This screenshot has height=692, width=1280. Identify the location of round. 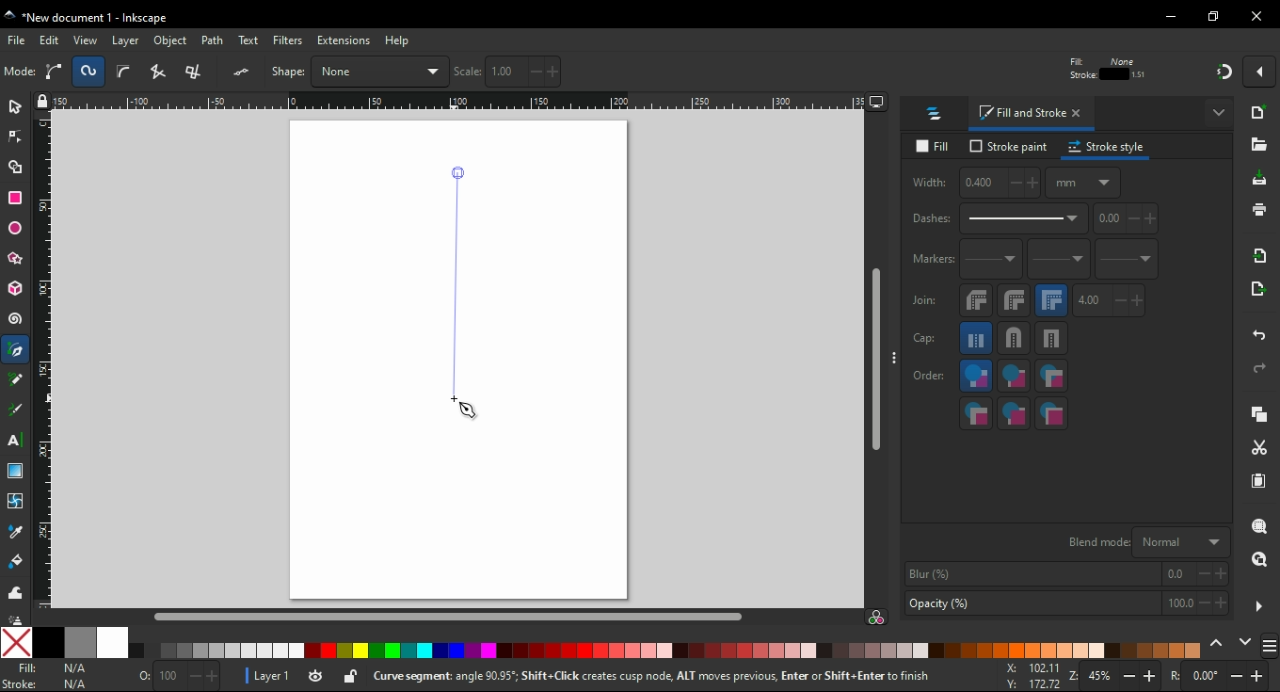
(1013, 338).